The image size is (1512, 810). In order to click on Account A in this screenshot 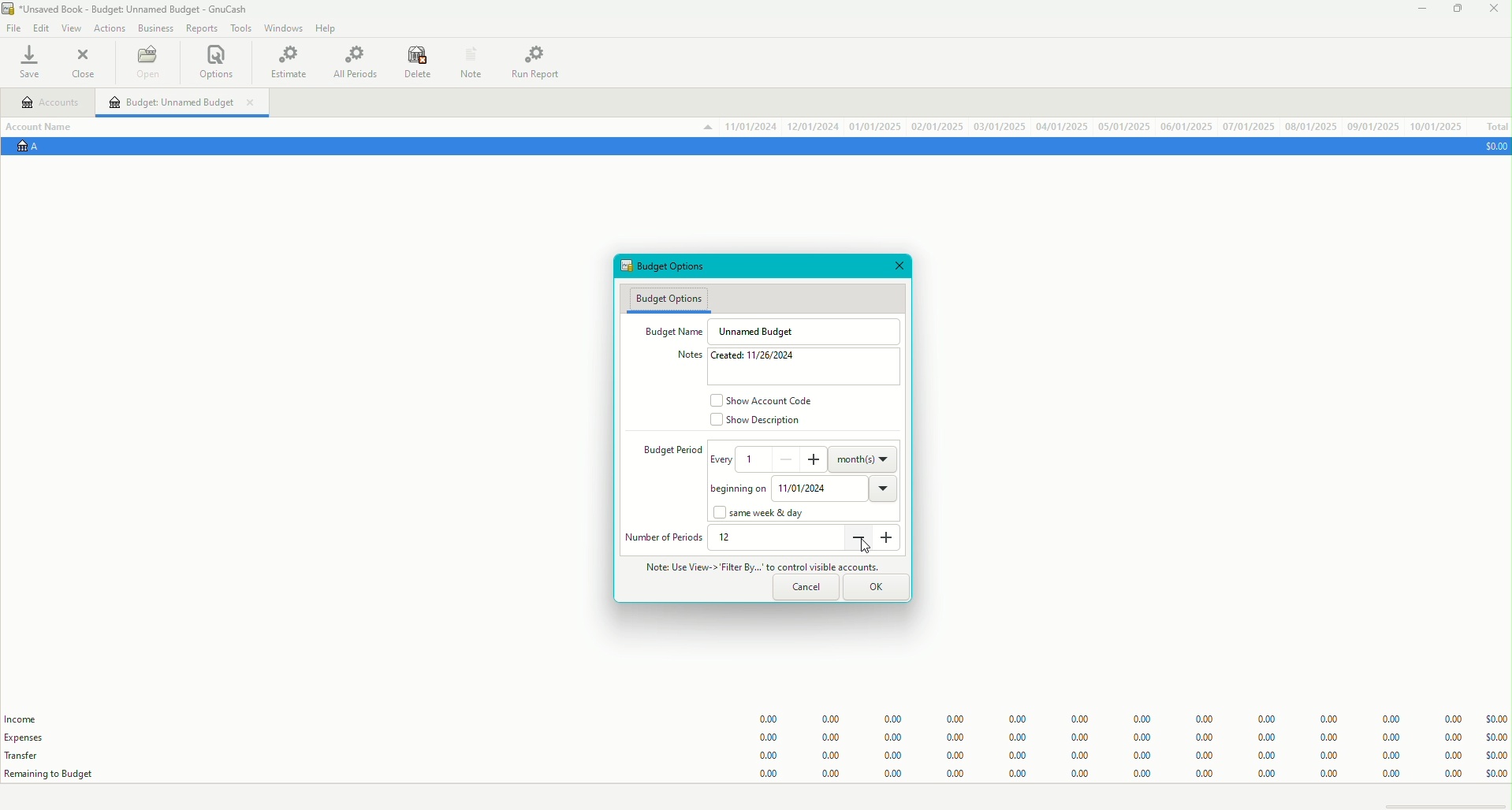, I will do `click(35, 148)`.